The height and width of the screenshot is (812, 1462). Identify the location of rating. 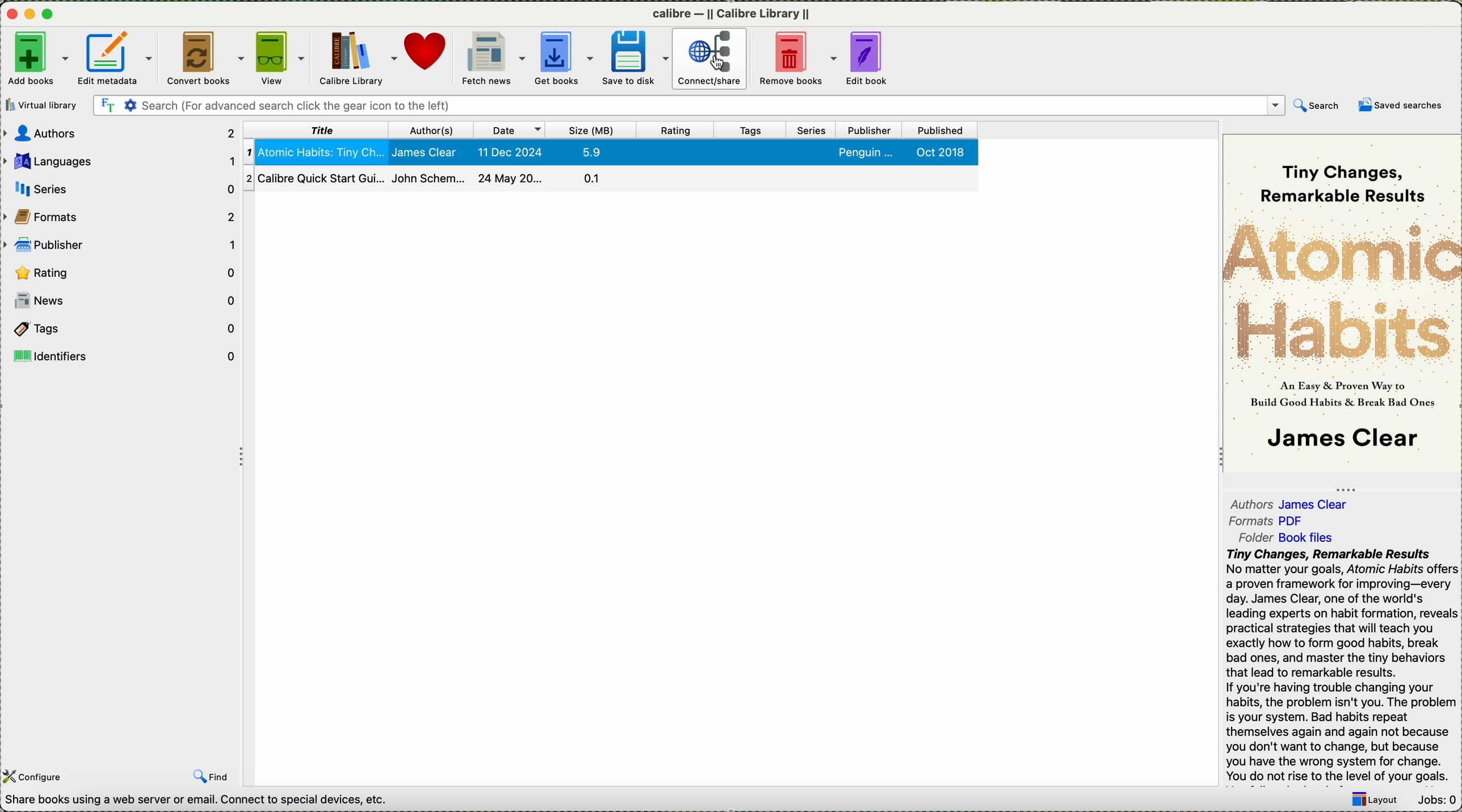
(124, 272).